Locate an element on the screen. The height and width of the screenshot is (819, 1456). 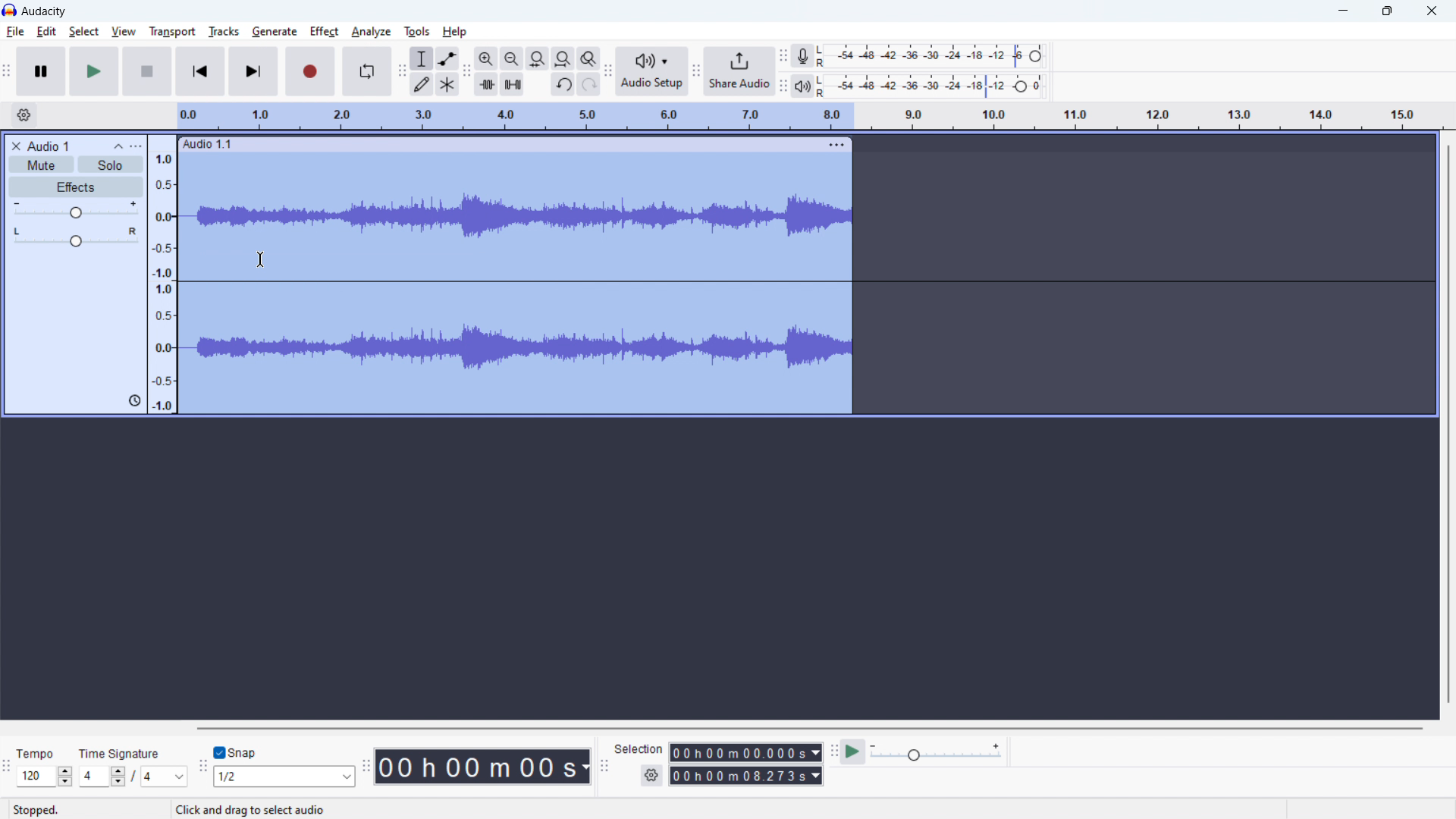
effects is located at coordinates (77, 187).